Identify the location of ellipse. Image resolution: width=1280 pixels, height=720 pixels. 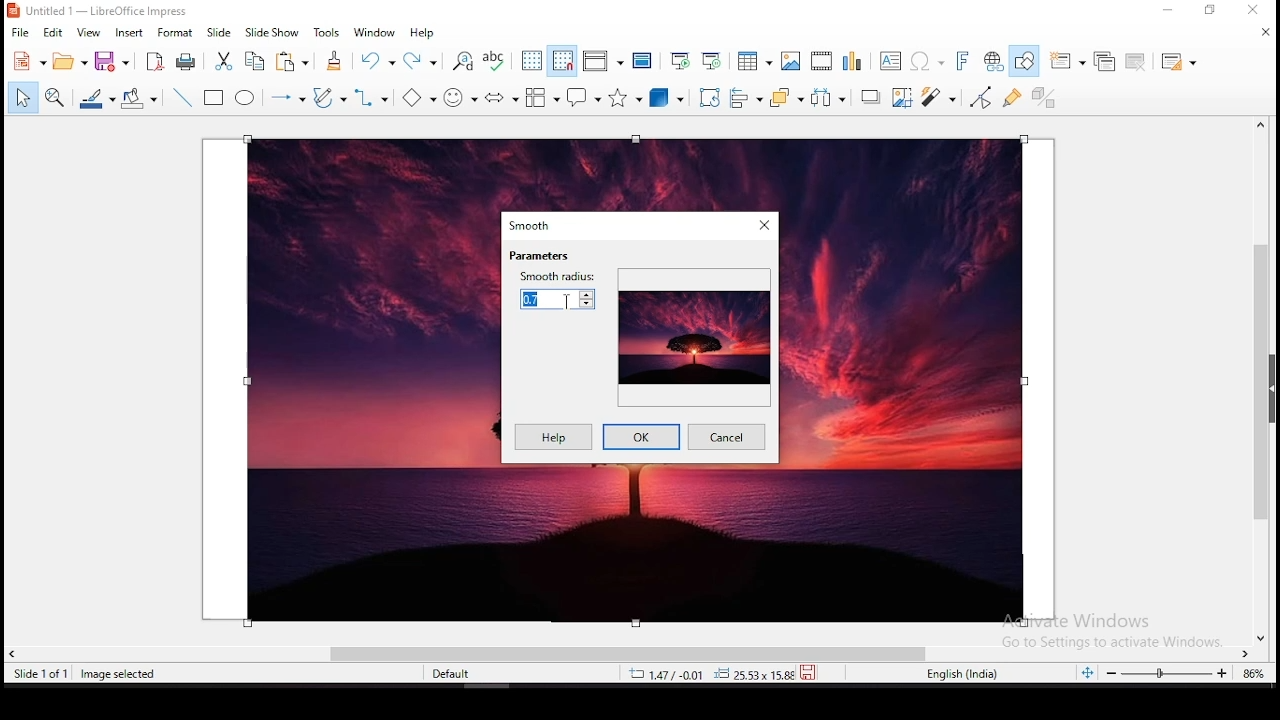
(246, 98).